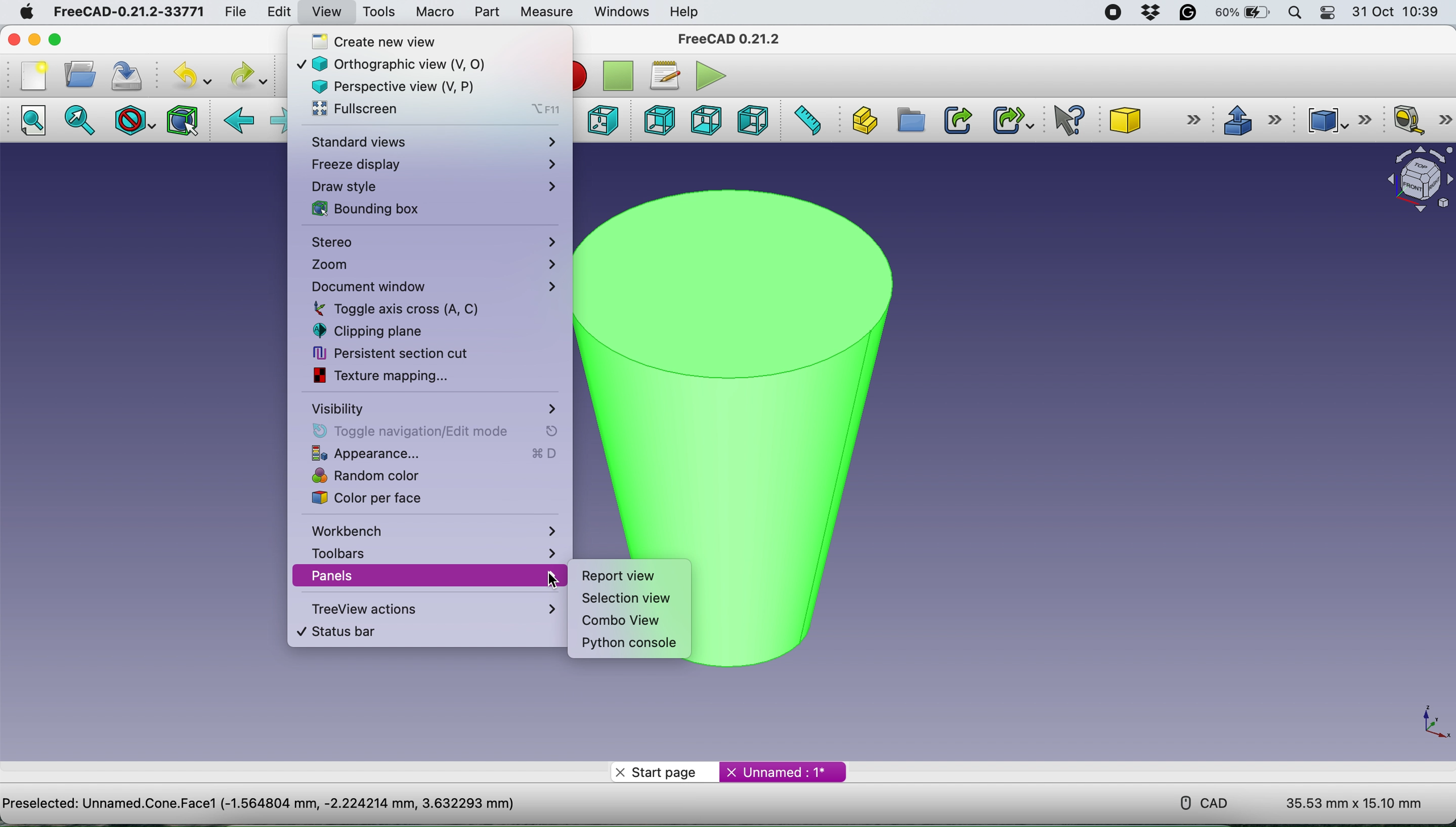 The width and height of the screenshot is (1456, 827). I want to click on treeview actions , so click(430, 608).